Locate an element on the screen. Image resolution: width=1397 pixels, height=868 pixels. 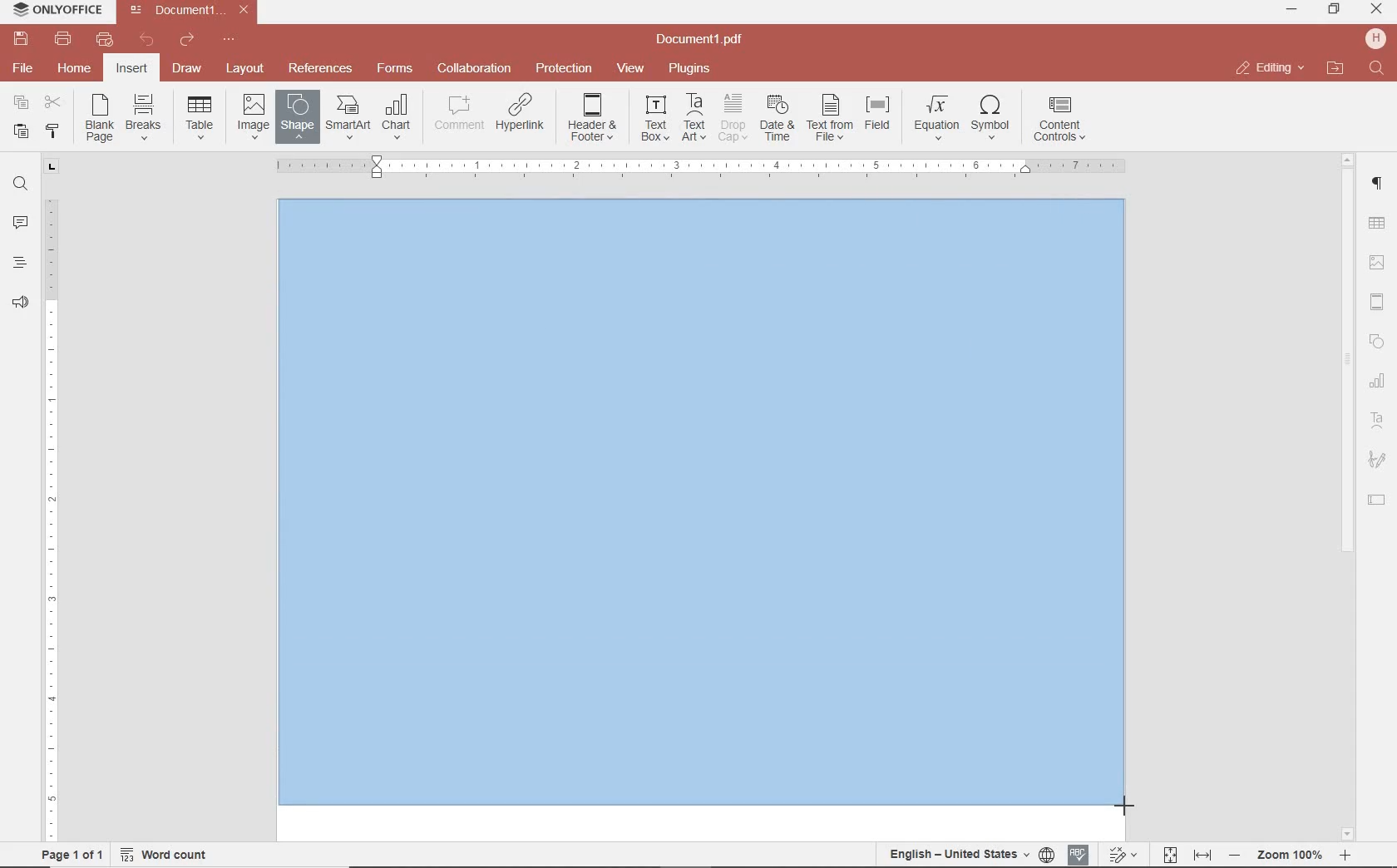
ruler is located at coordinates (52, 508).